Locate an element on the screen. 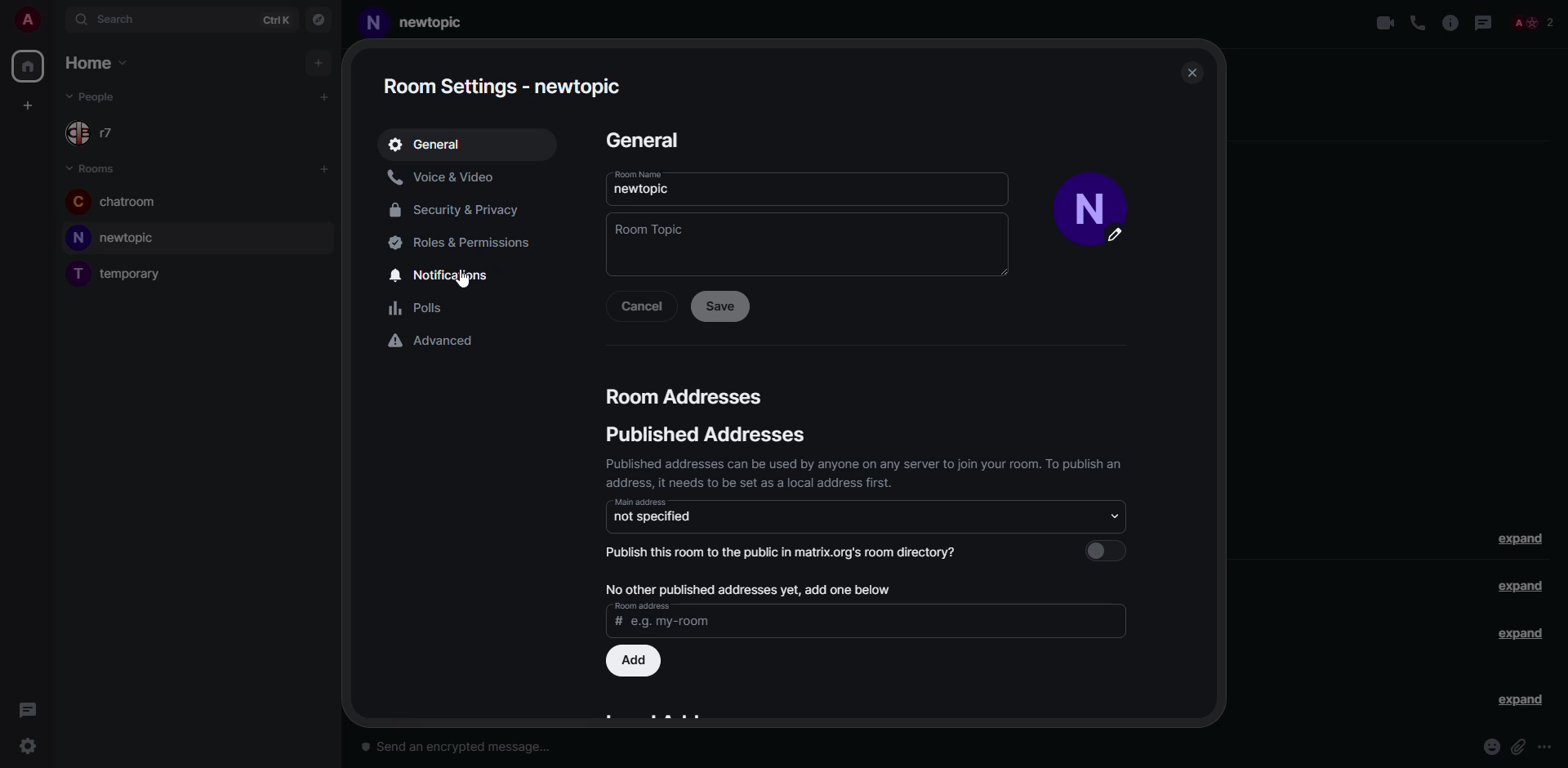  Public addresses is located at coordinates (712, 434).